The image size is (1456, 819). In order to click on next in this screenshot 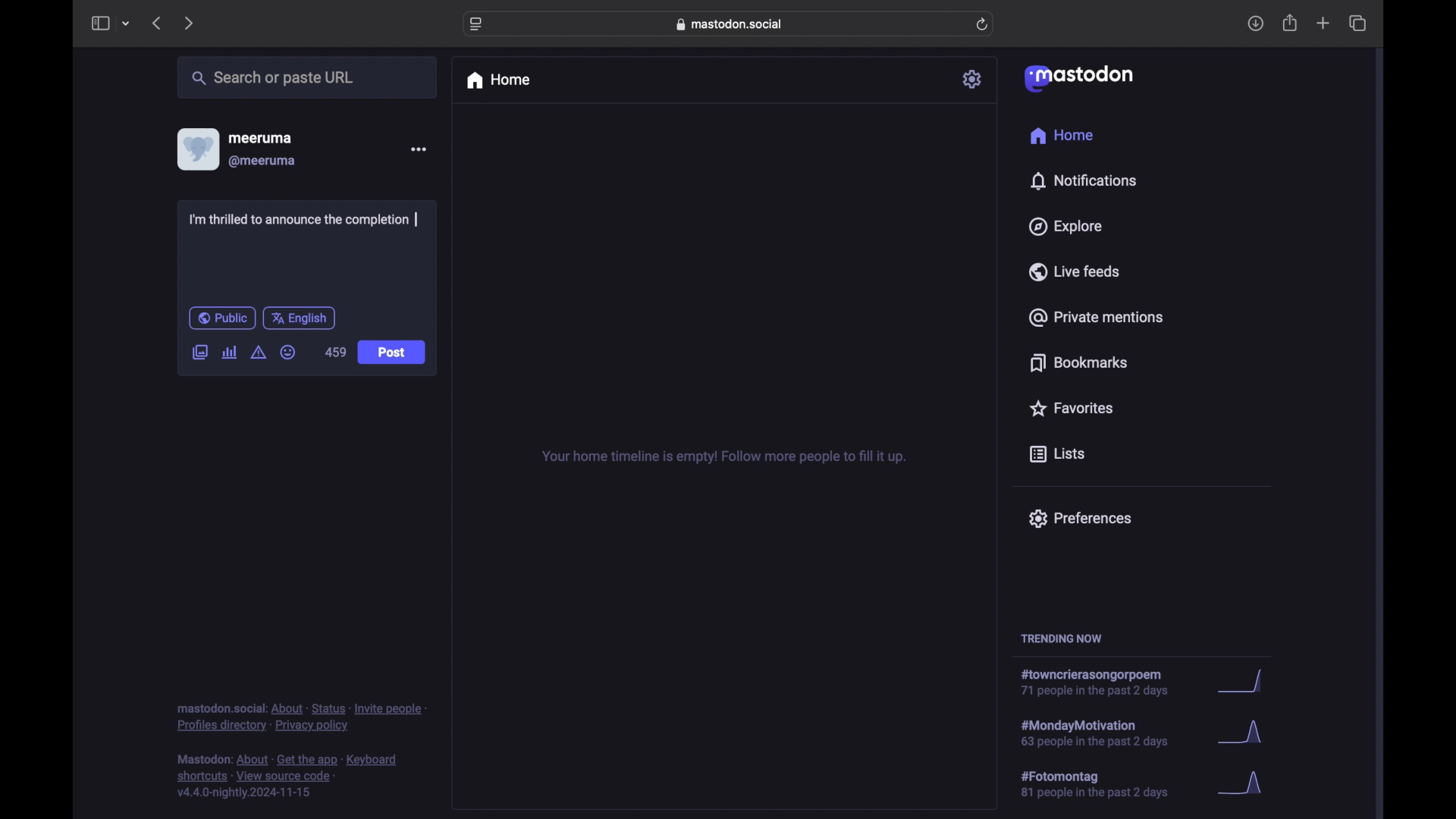, I will do `click(188, 24)`.